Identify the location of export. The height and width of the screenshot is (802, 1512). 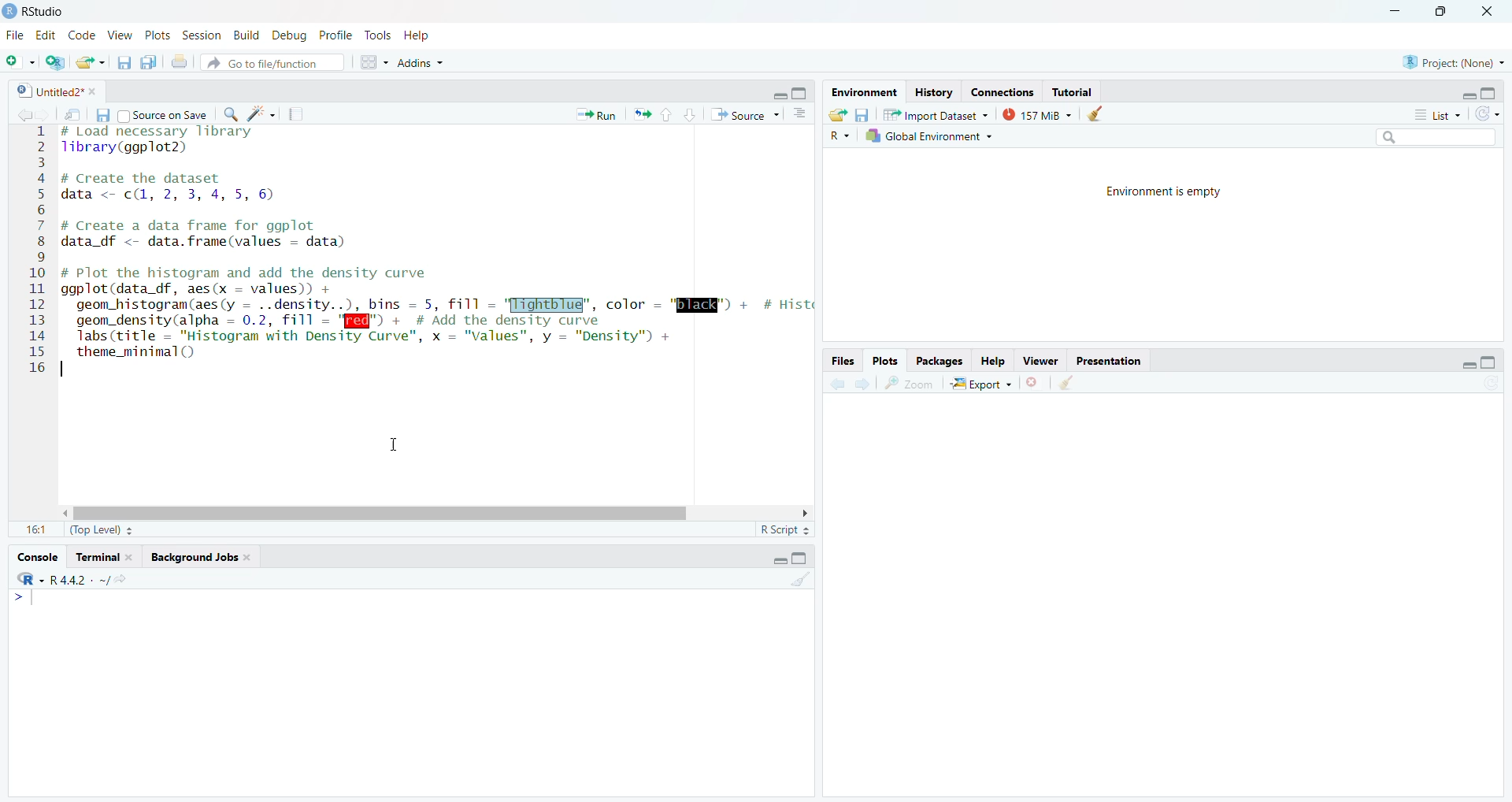
(980, 384).